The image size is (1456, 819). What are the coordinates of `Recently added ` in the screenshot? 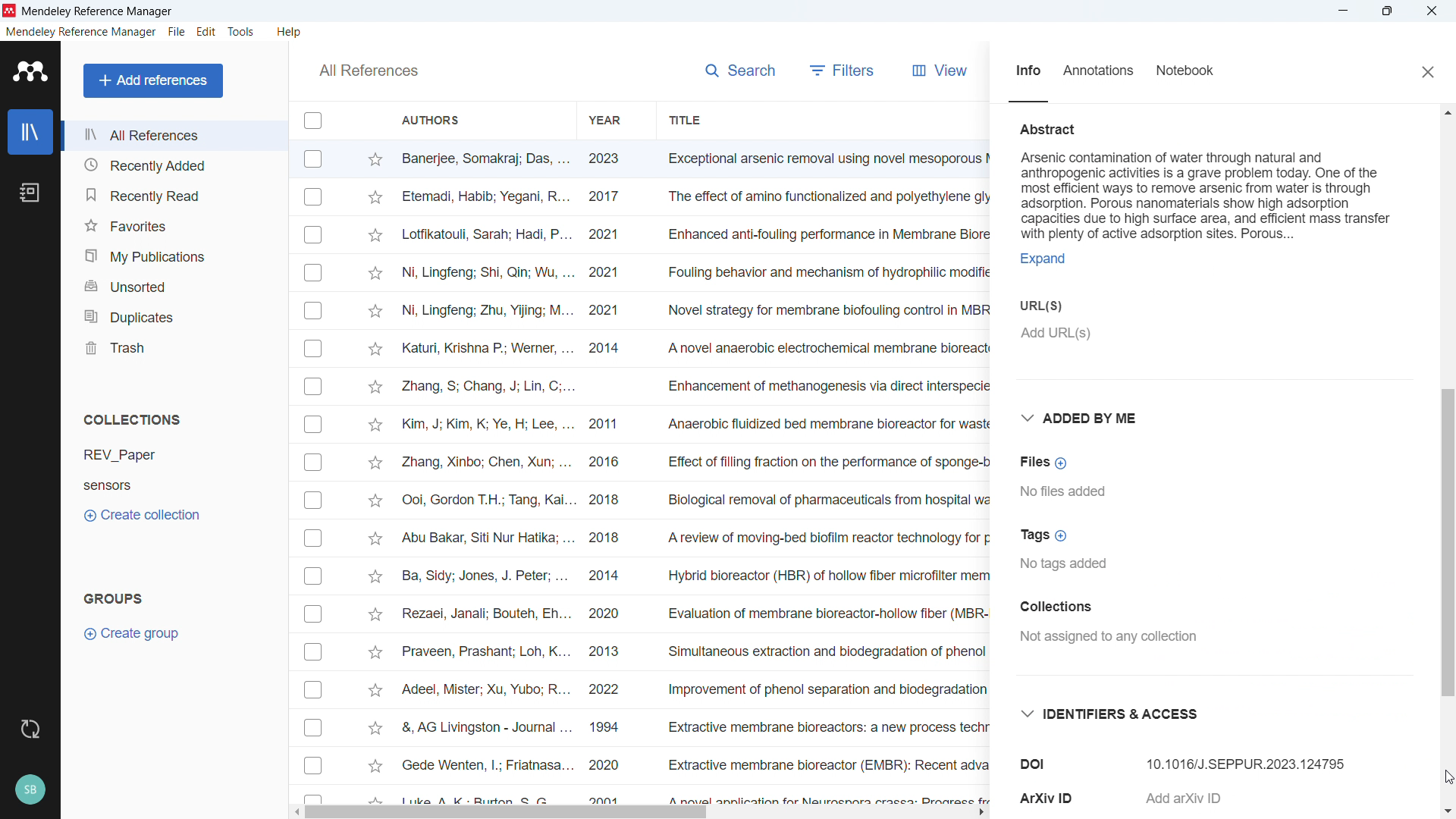 It's located at (172, 165).